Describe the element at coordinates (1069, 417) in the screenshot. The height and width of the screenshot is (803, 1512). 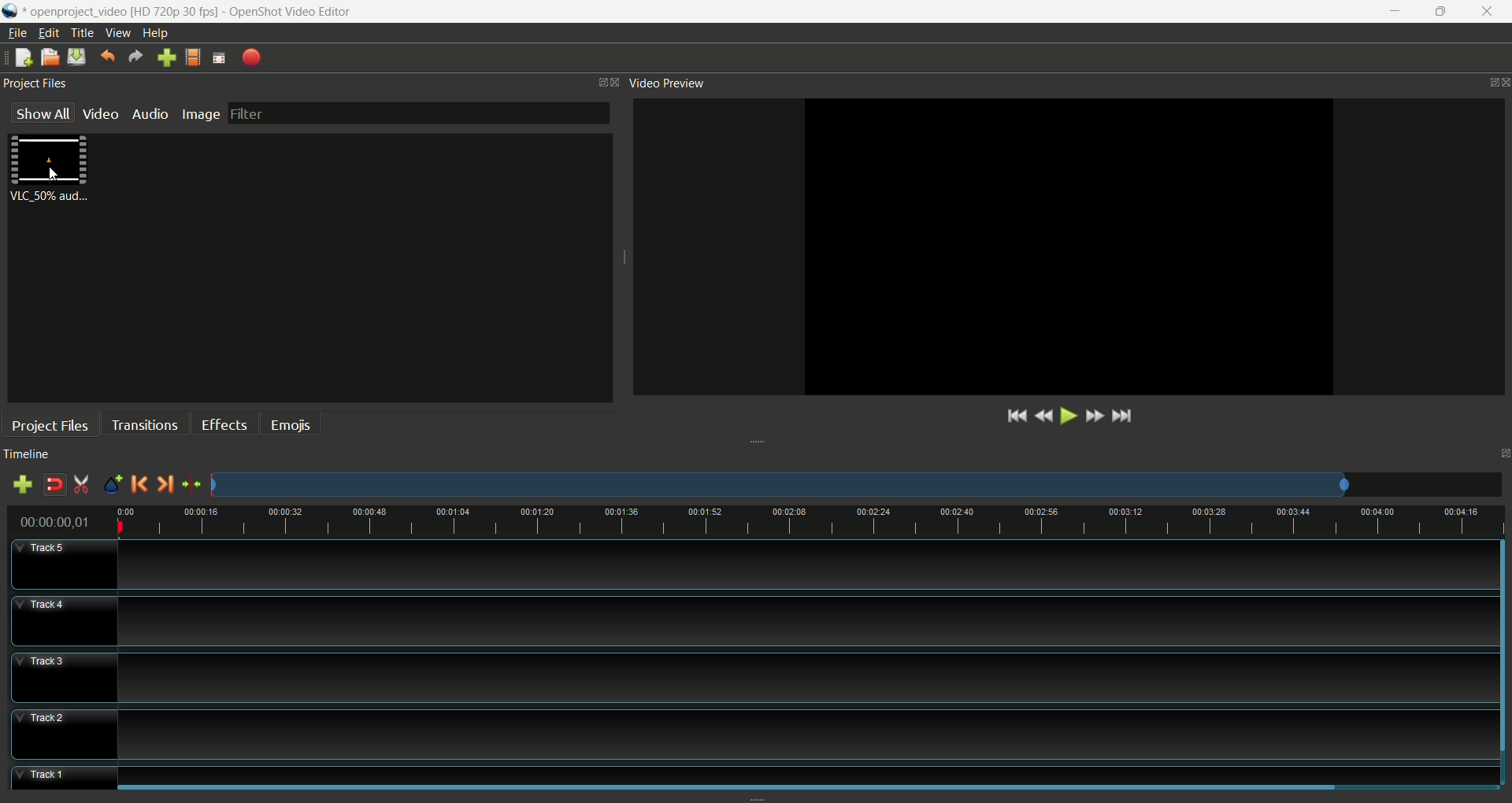
I see `play` at that location.